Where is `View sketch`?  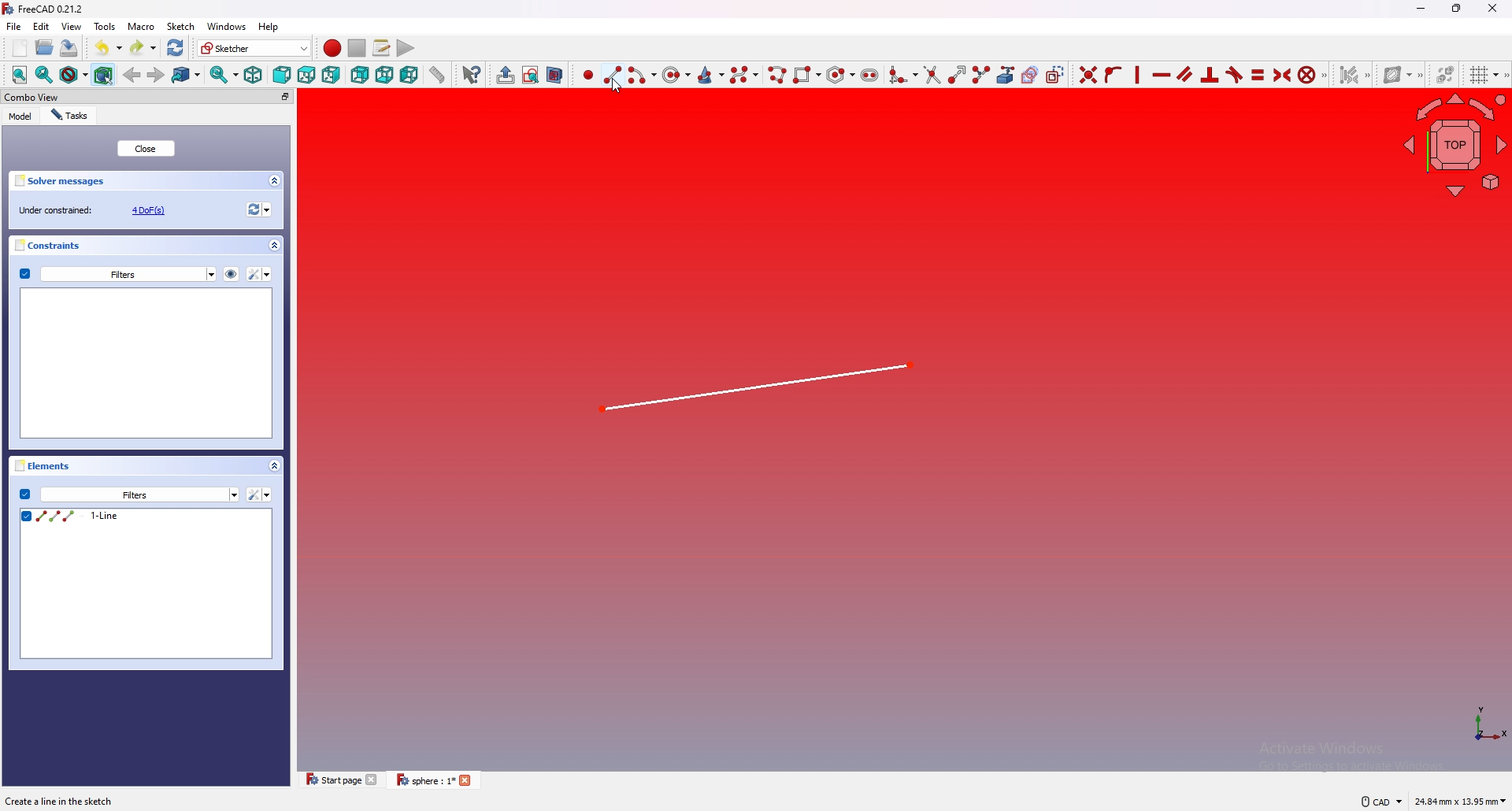 View sketch is located at coordinates (530, 75).